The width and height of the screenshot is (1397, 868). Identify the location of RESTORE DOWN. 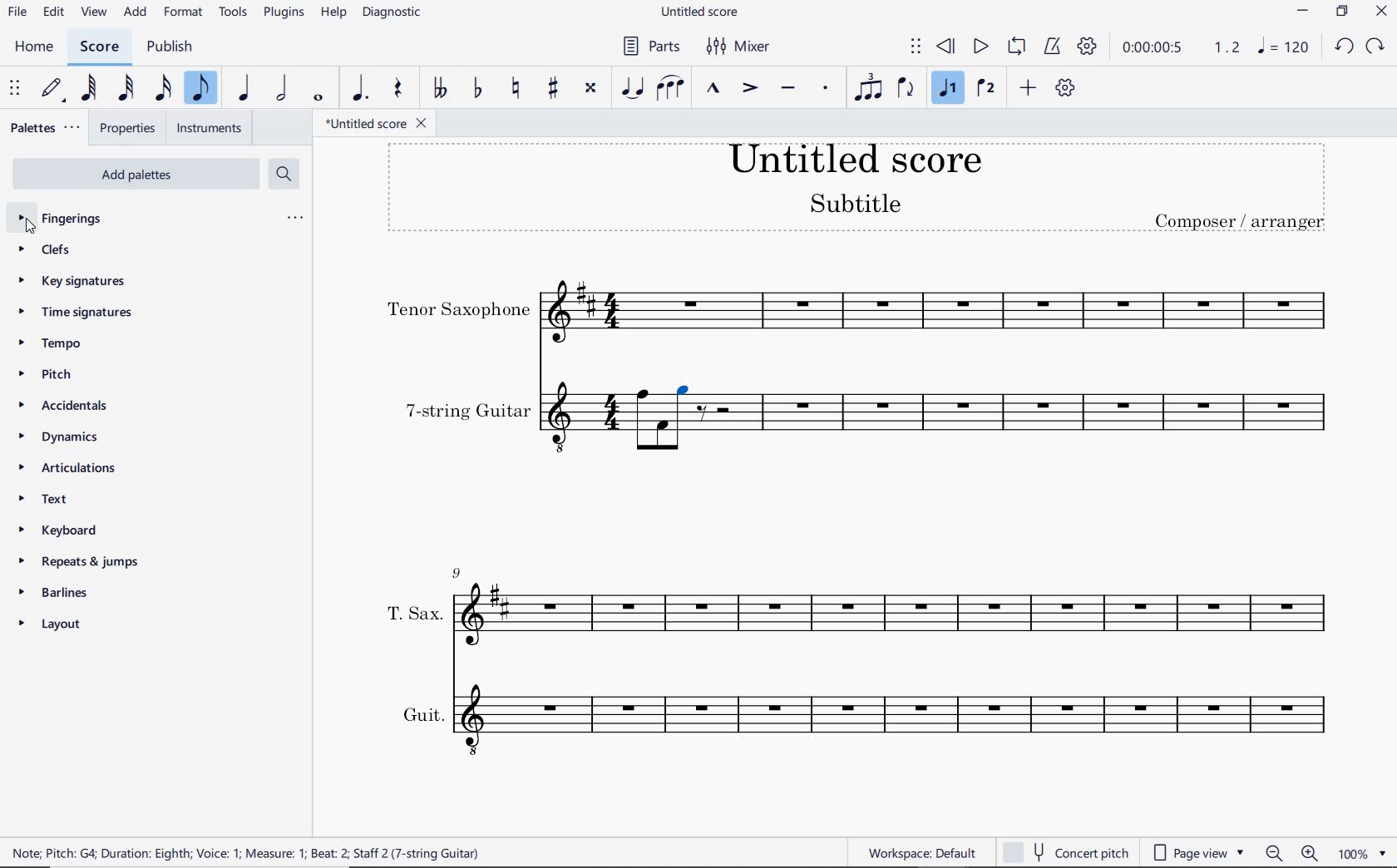
(1344, 12).